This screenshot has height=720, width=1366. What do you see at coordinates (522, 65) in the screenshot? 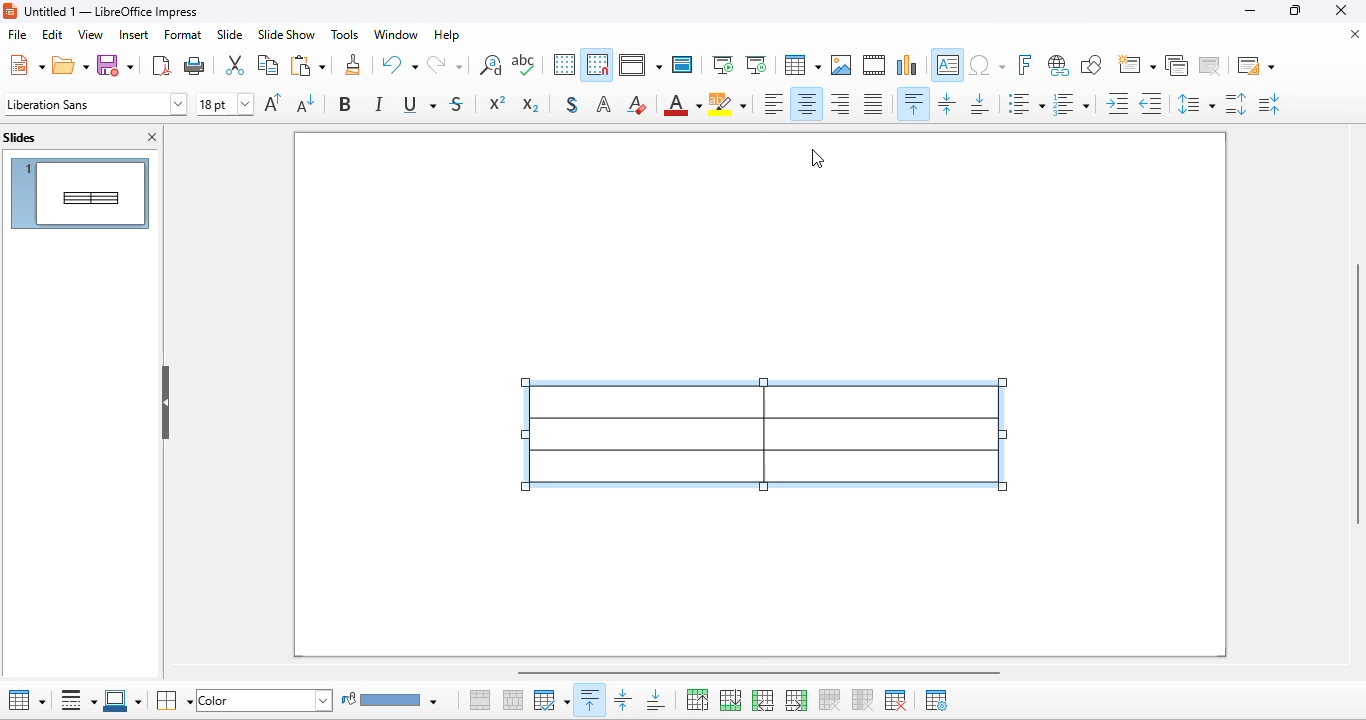
I see `spelling` at bounding box center [522, 65].